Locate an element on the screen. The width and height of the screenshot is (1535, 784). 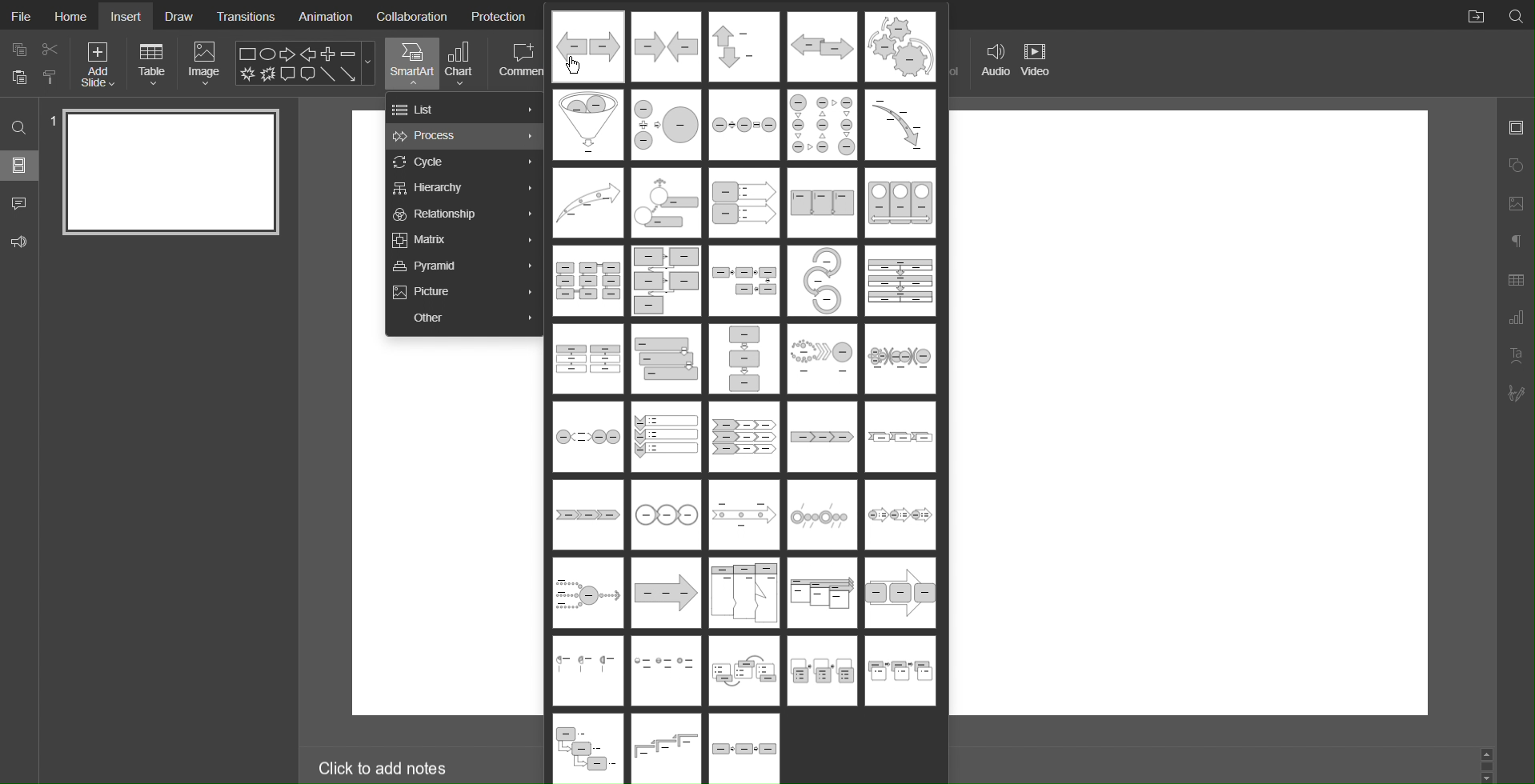
Process Template 4 is located at coordinates (824, 47).